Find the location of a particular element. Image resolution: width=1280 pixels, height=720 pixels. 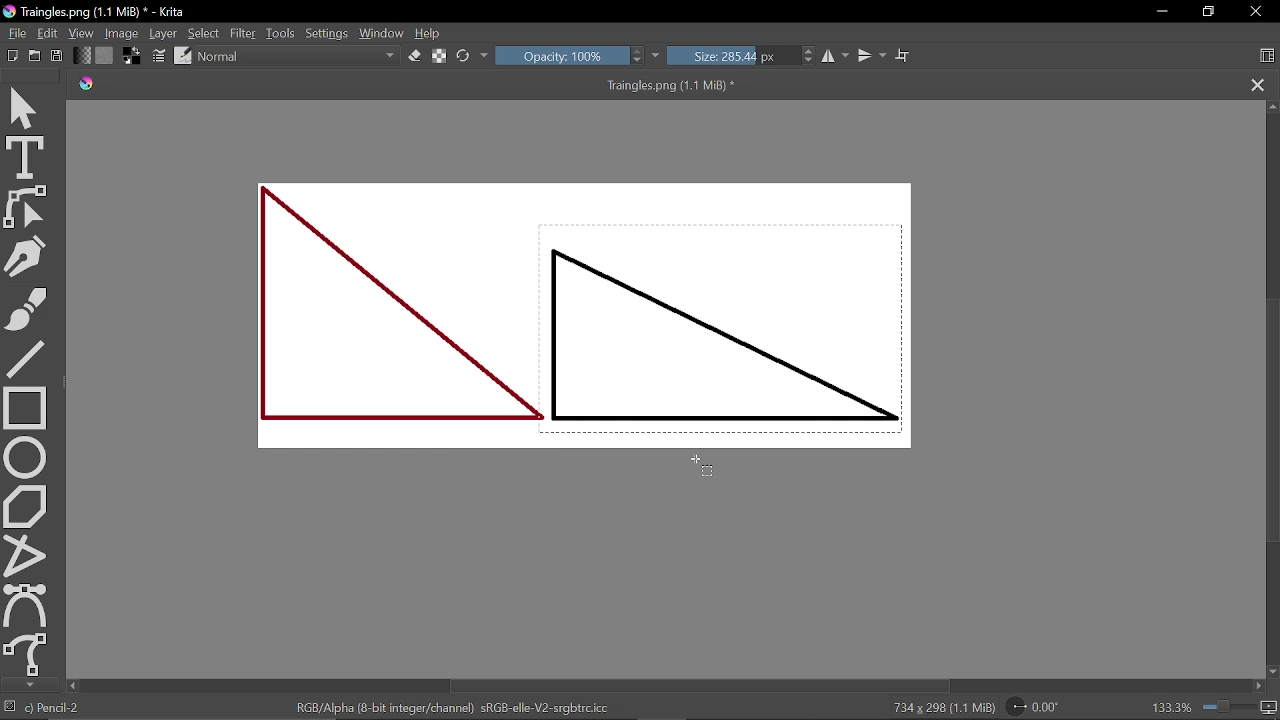

Traingles.png (1.1 MiB) * is located at coordinates (433, 85).